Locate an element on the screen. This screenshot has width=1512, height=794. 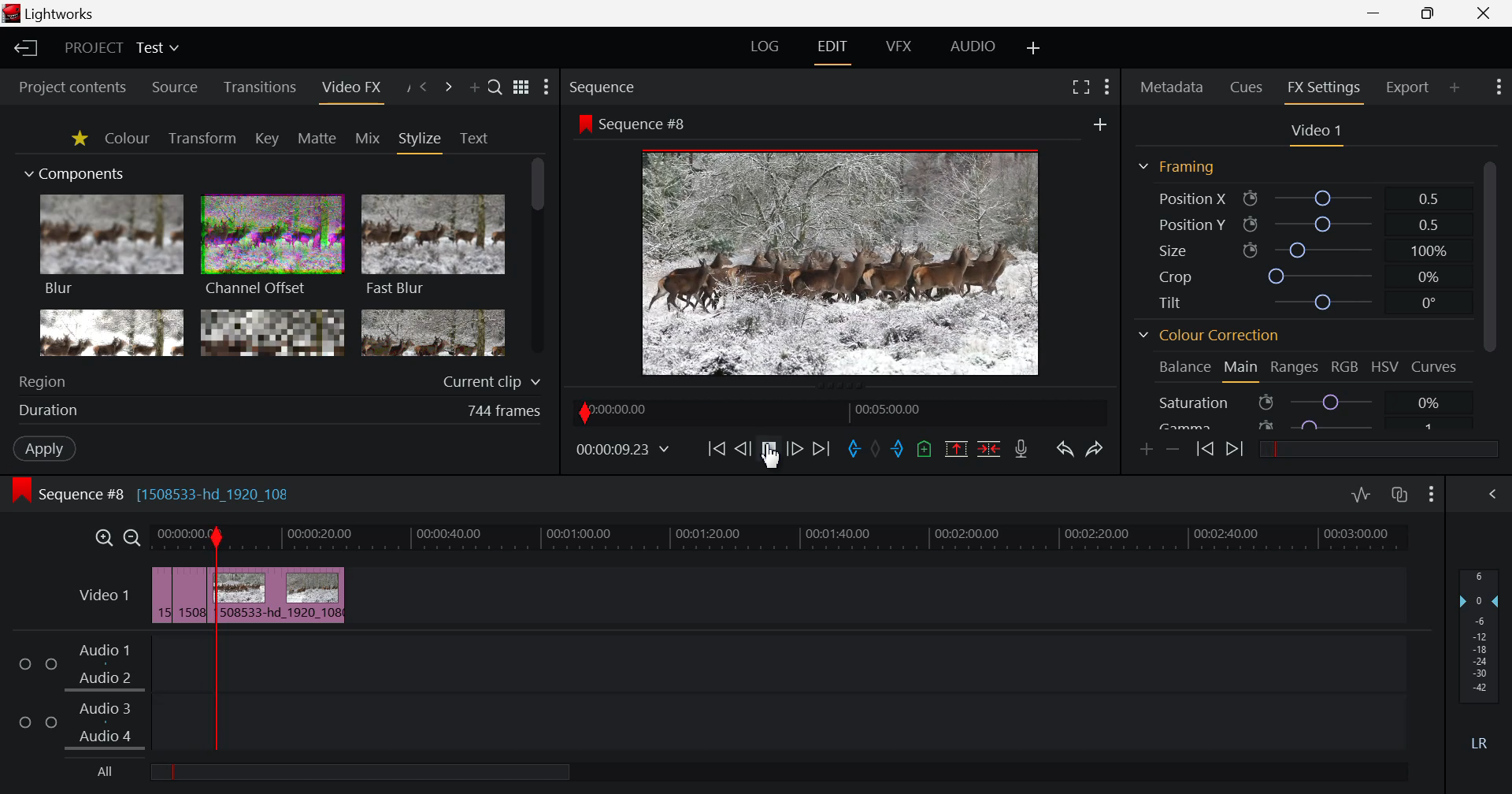
Components is located at coordinates (76, 175).